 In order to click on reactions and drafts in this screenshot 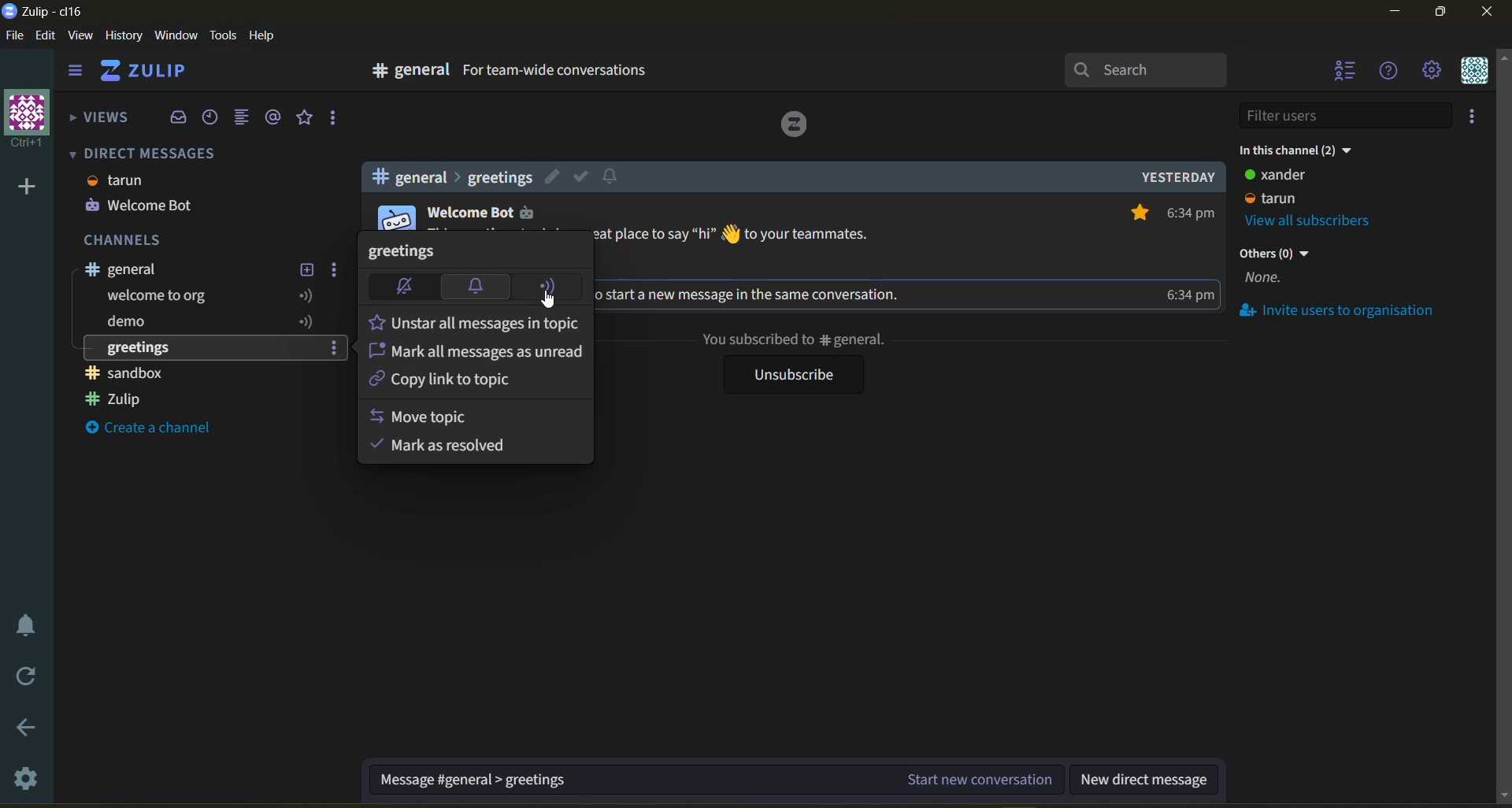, I will do `click(333, 119)`.